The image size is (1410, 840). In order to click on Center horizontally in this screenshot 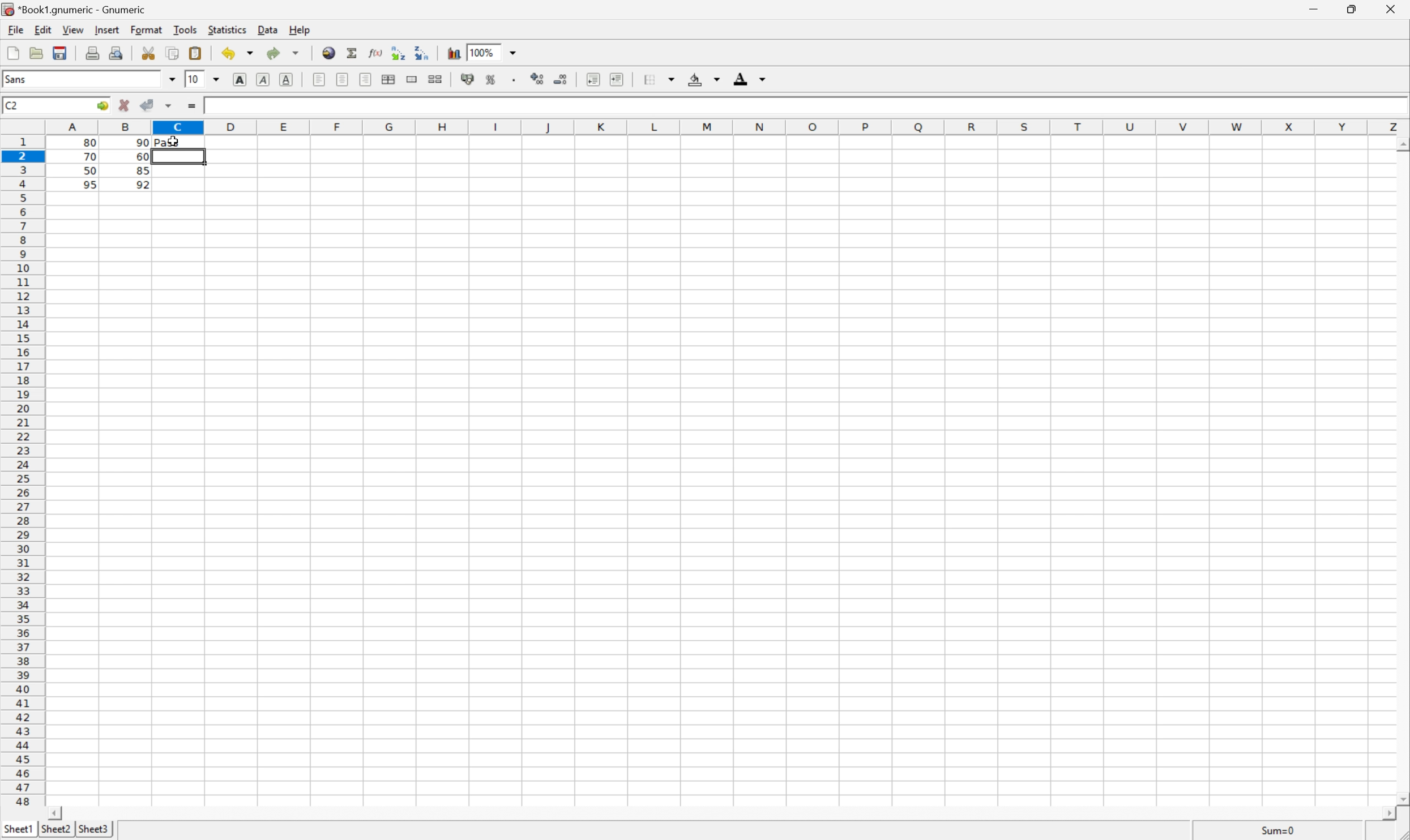, I will do `click(343, 80)`.